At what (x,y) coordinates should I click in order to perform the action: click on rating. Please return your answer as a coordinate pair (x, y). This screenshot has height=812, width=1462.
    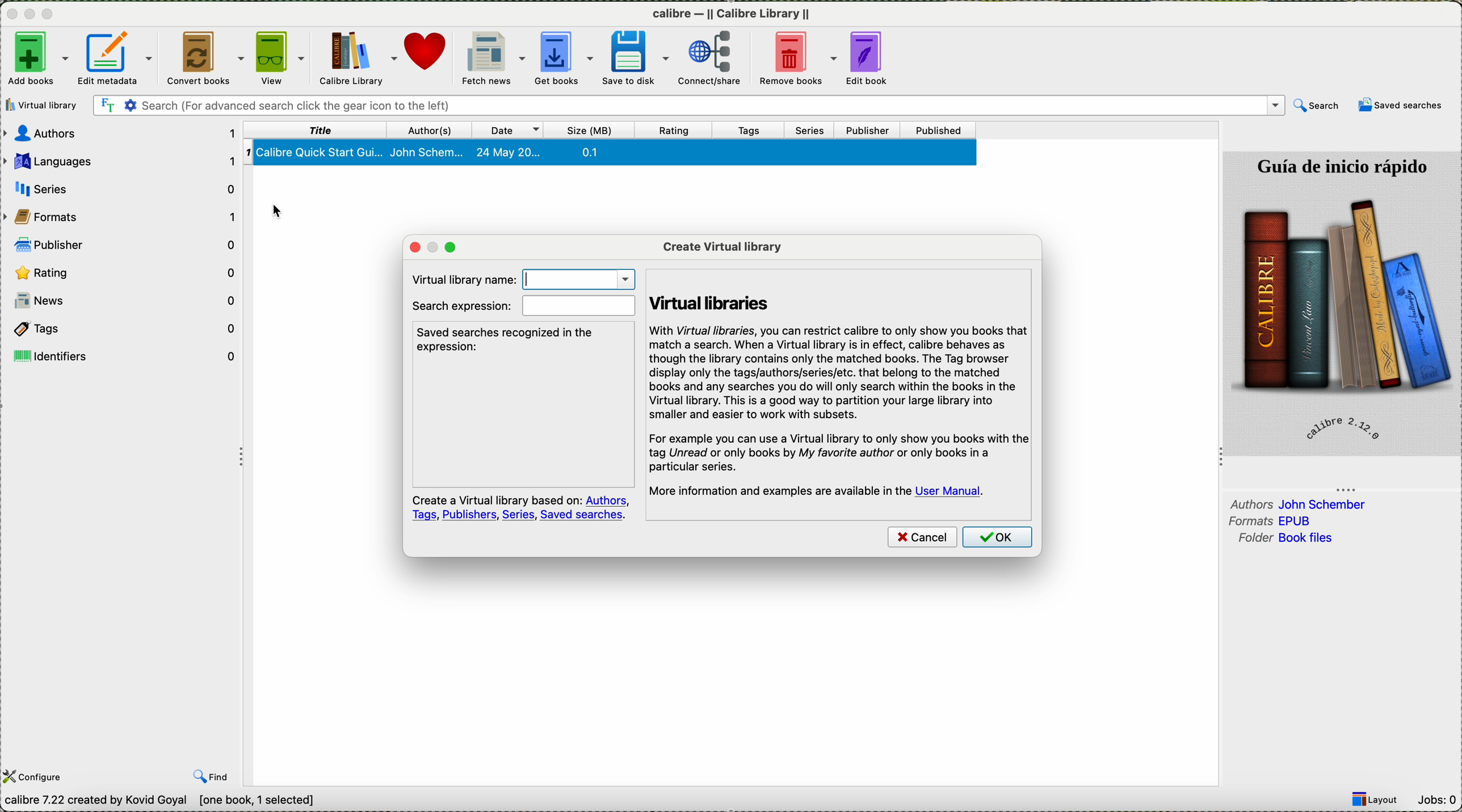
    Looking at the image, I should click on (124, 272).